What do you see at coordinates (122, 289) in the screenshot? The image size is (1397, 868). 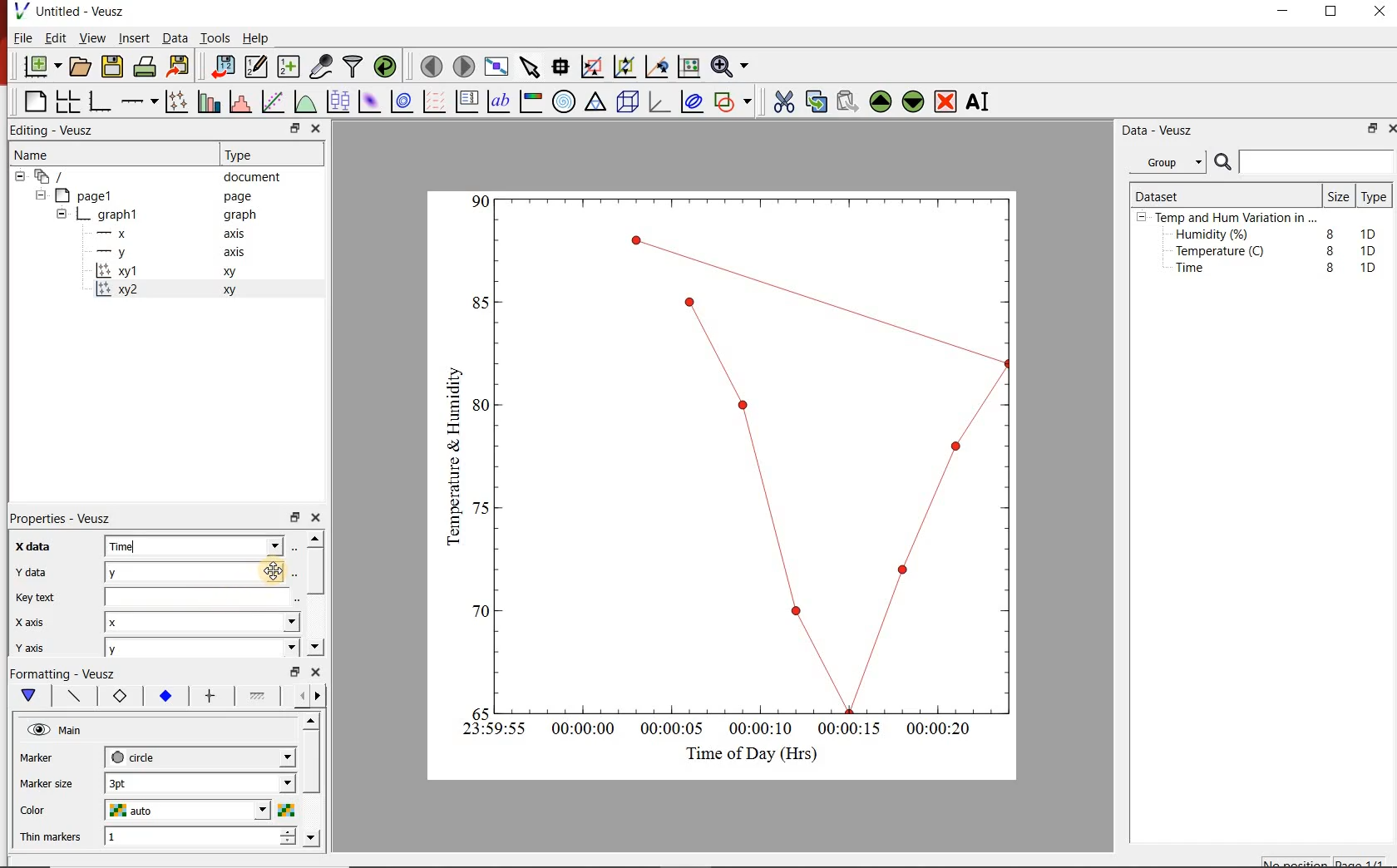 I see `xy2` at bounding box center [122, 289].